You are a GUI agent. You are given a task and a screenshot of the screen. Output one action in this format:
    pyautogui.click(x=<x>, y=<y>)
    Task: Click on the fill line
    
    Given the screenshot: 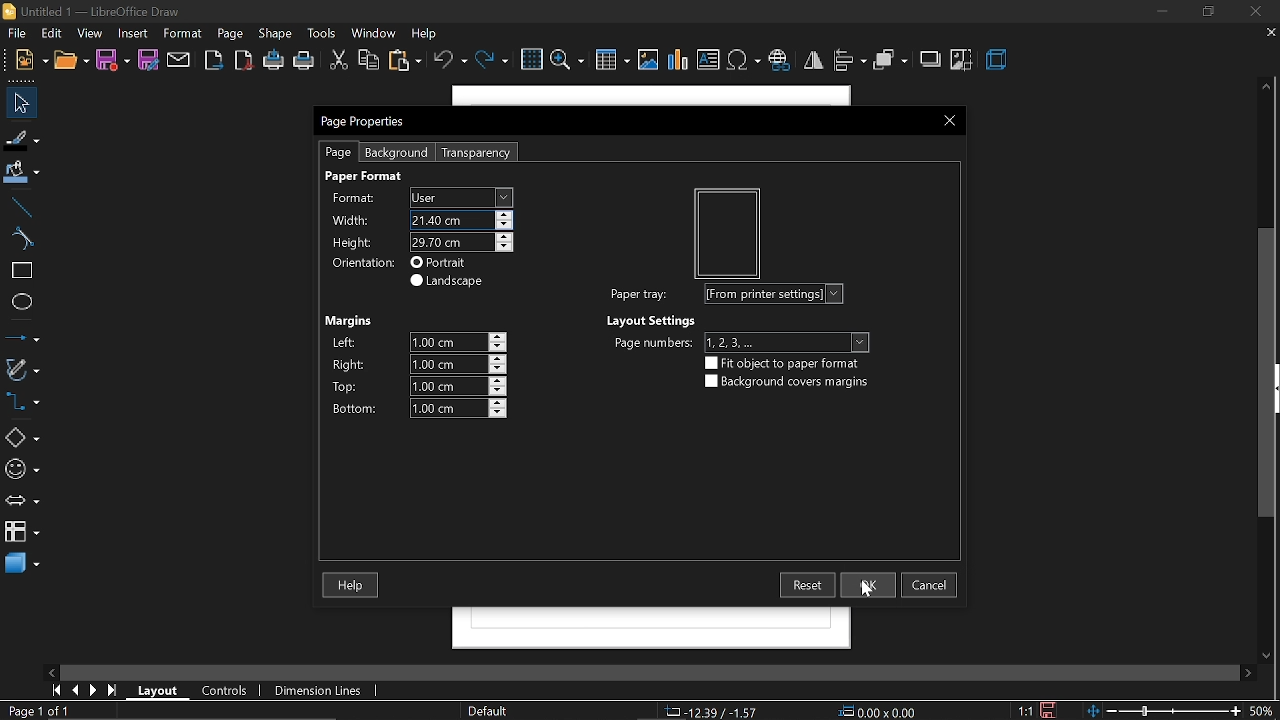 What is the action you would take?
    pyautogui.click(x=23, y=140)
    